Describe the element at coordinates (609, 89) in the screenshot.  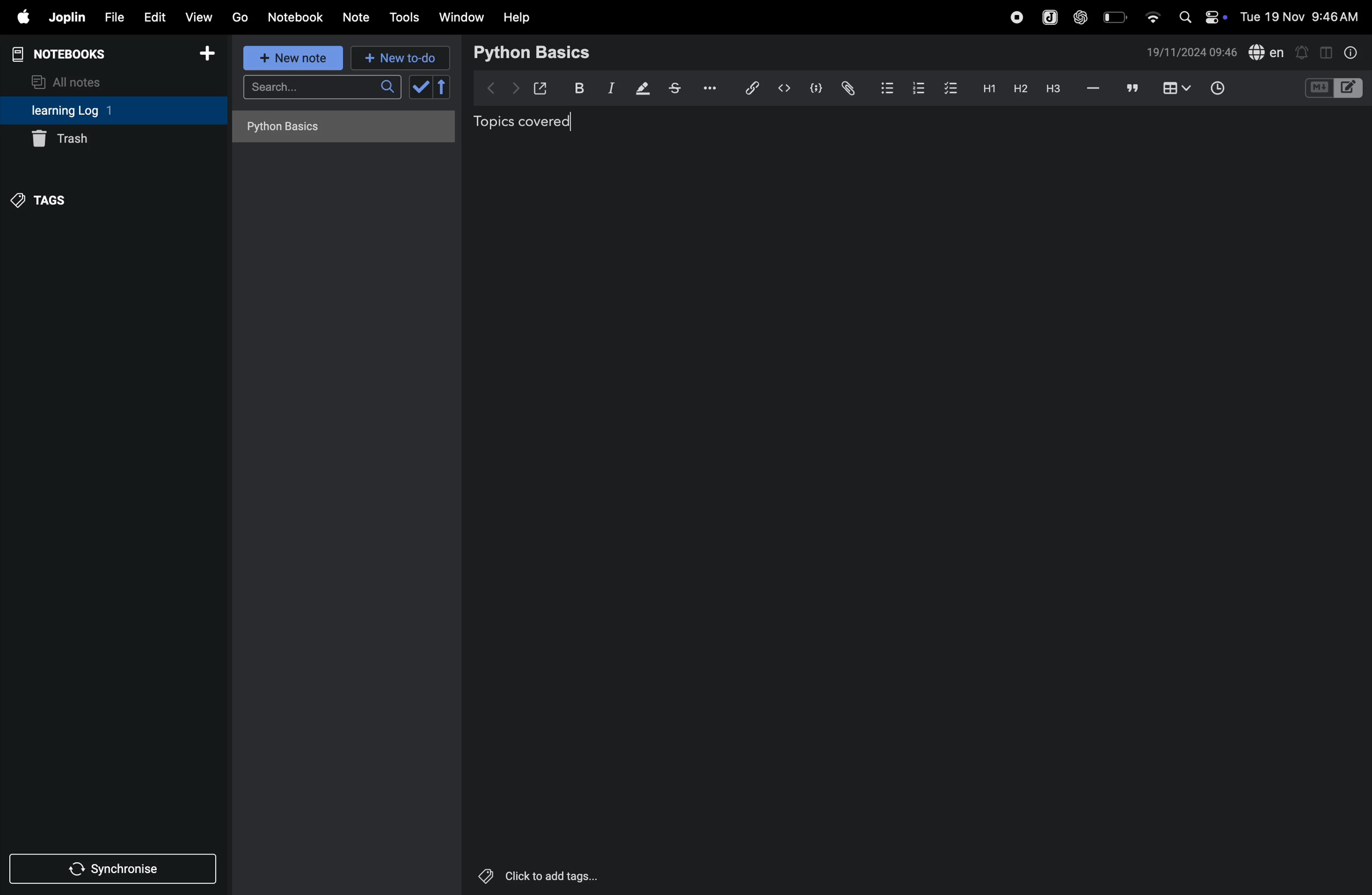
I see `itallic` at that location.